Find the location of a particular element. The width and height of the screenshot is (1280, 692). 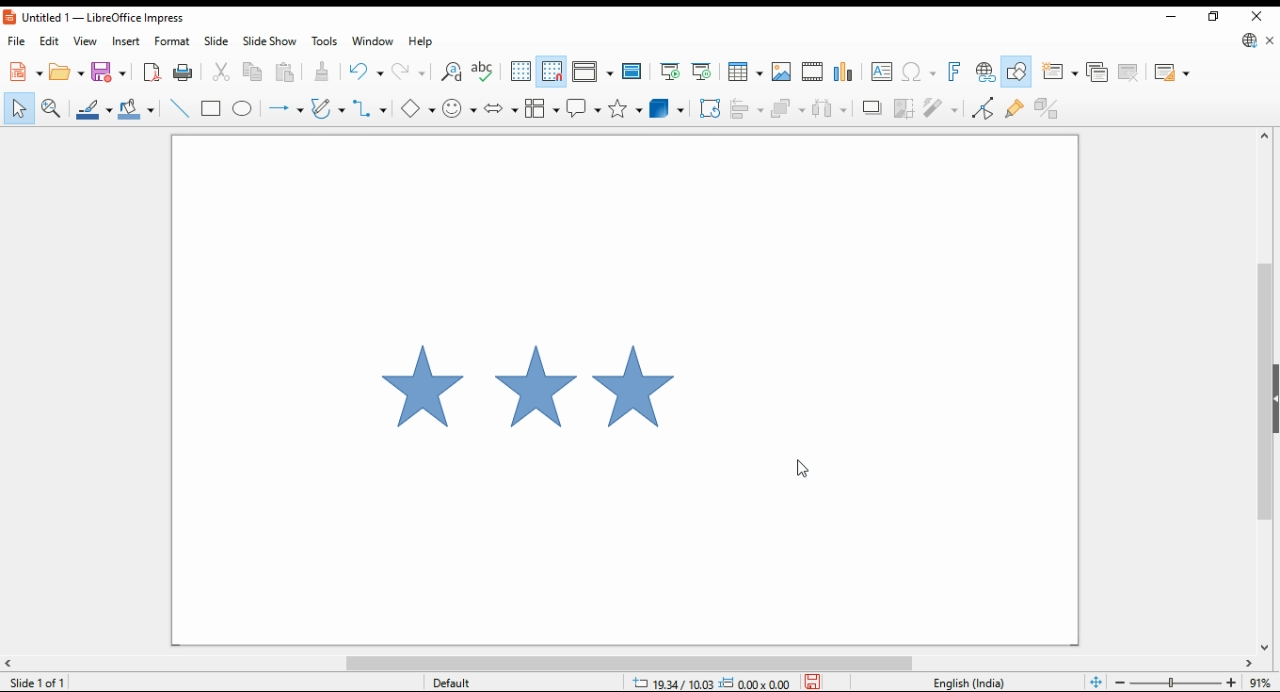

new is located at coordinates (23, 71).